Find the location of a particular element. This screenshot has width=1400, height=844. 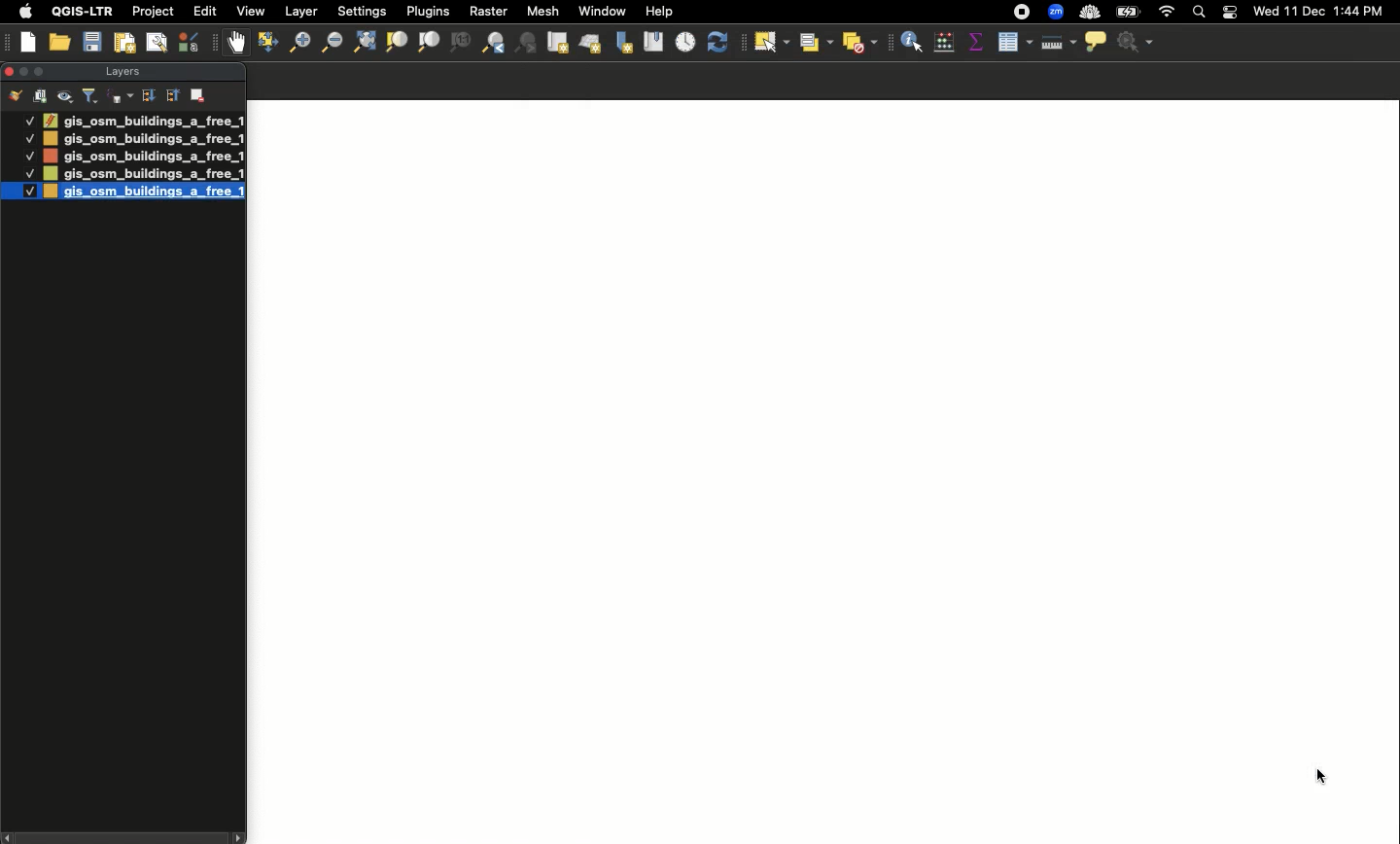

Edit is located at coordinates (205, 11).